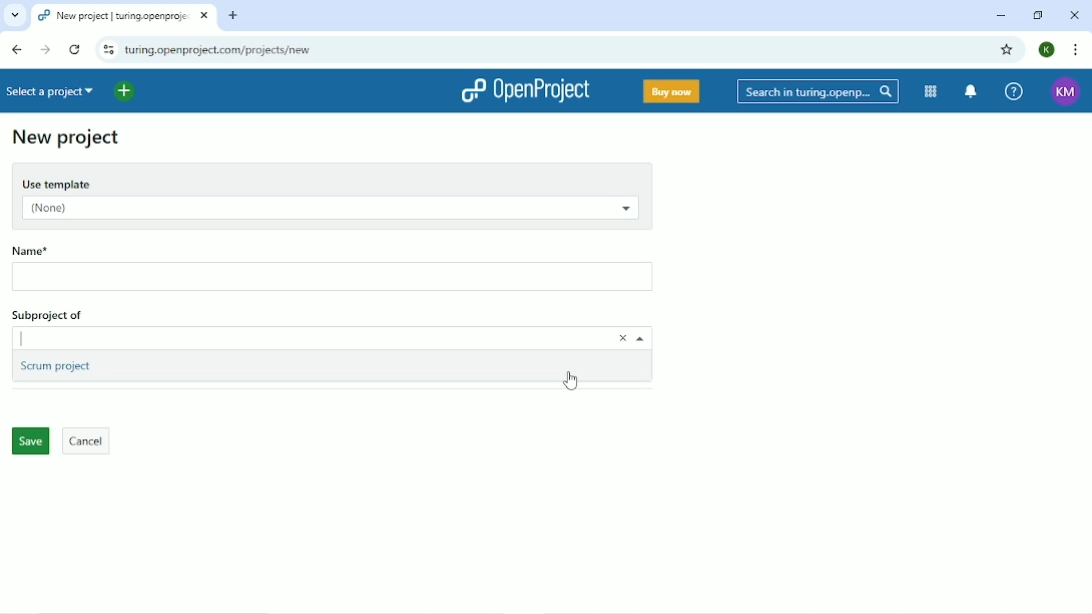 Image resolution: width=1092 pixels, height=614 pixels. I want to click on View site information, so click(106, 49).